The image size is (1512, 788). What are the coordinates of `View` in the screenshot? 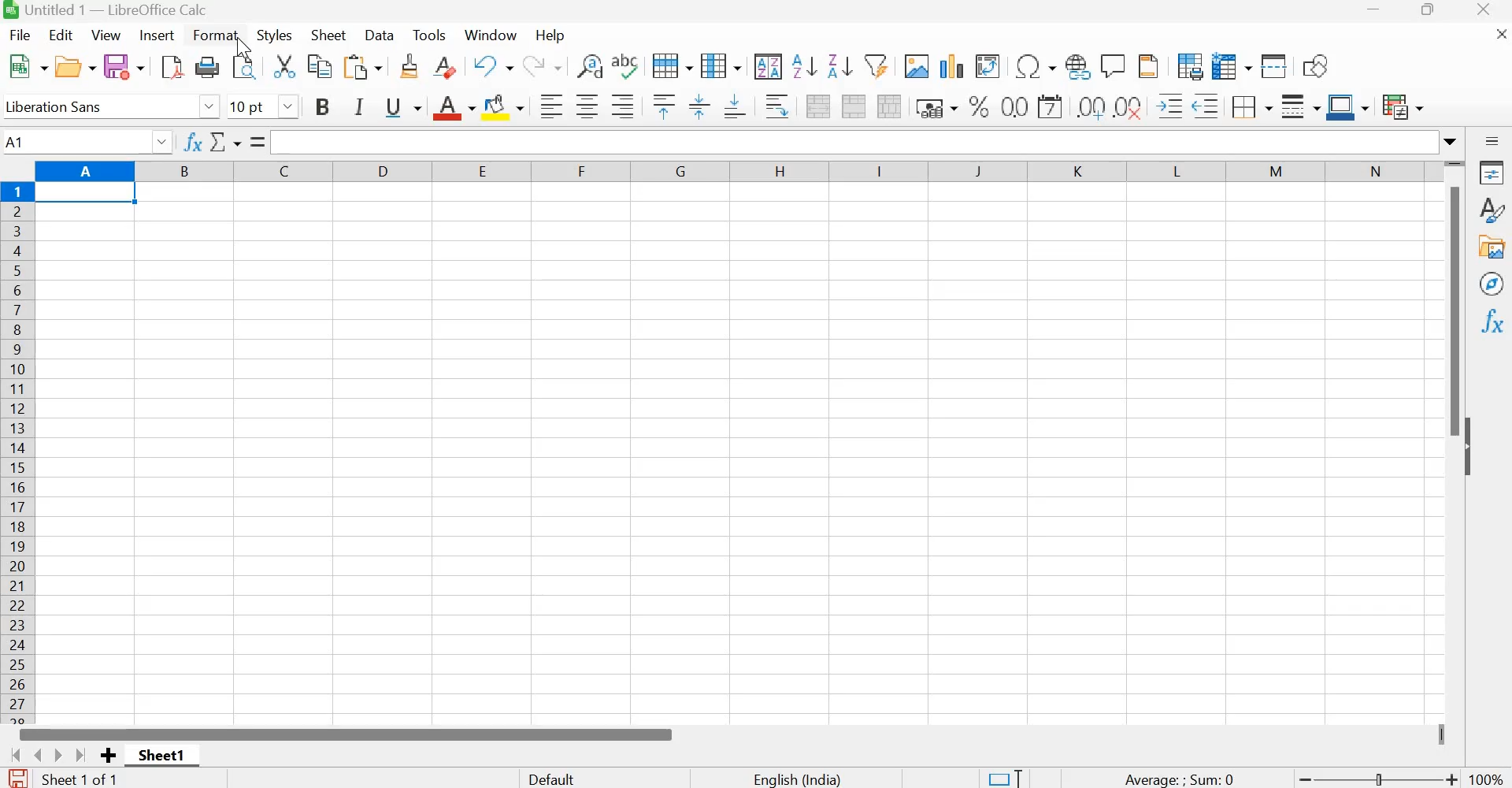 It's located at (108, 35).